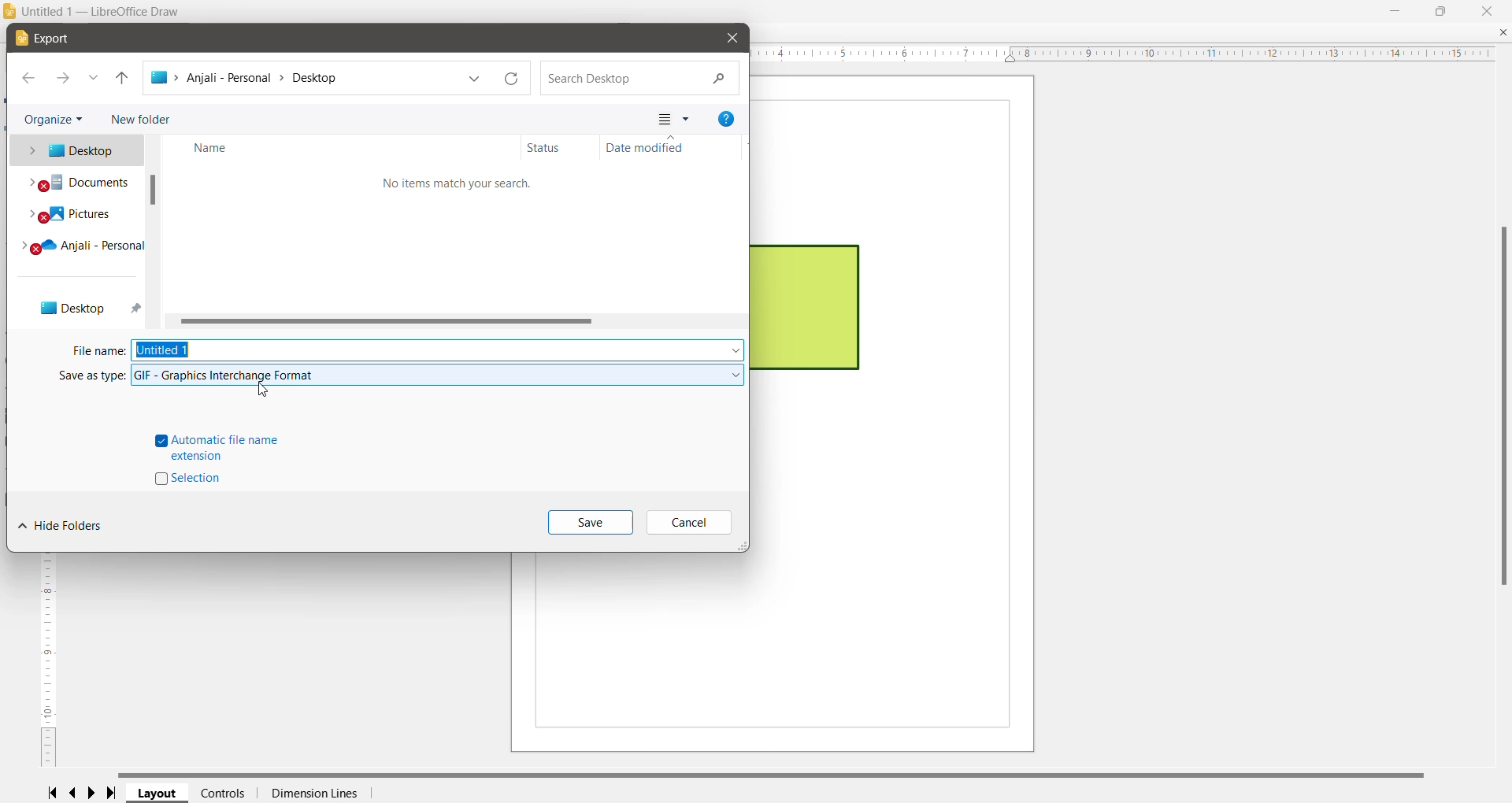 The width and height of the screenshot is (1512, 803). What do you see at coordinates (674, 147) in the screenshot?
I see `Date modified` at bounding box center [674, 147].